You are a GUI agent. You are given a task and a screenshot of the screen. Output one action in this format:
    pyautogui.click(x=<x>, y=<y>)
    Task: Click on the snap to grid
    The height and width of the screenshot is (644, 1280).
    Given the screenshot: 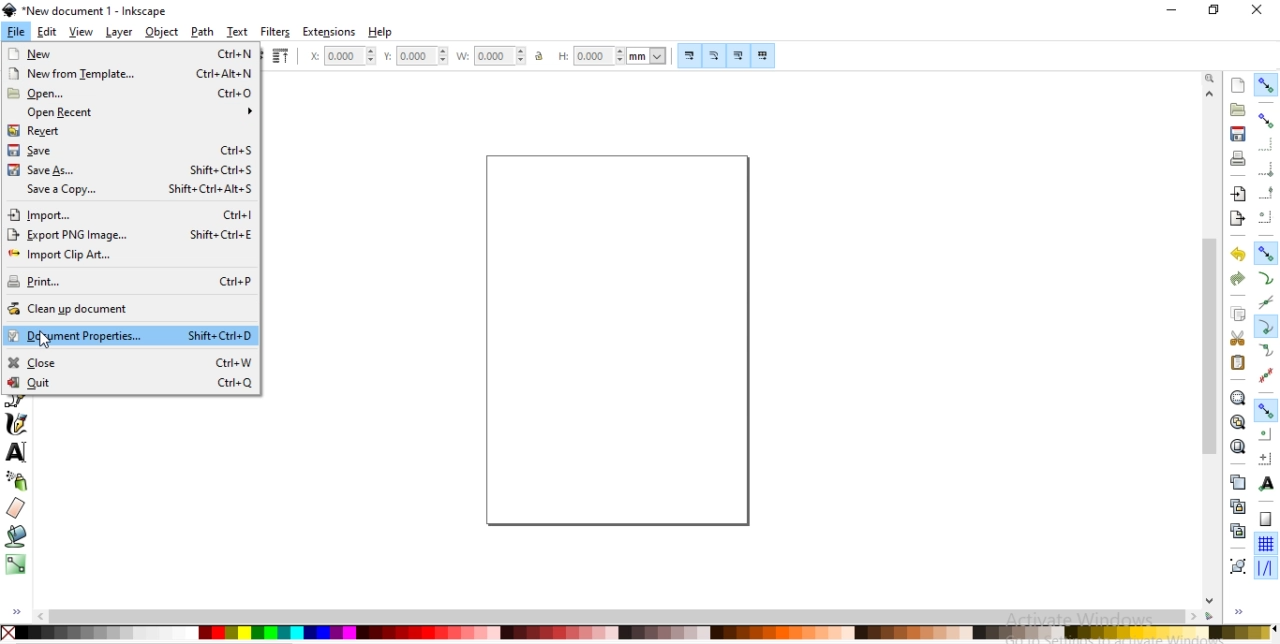 What is the action you would take?
    pyautogui.click(x=1265, y=545)
    